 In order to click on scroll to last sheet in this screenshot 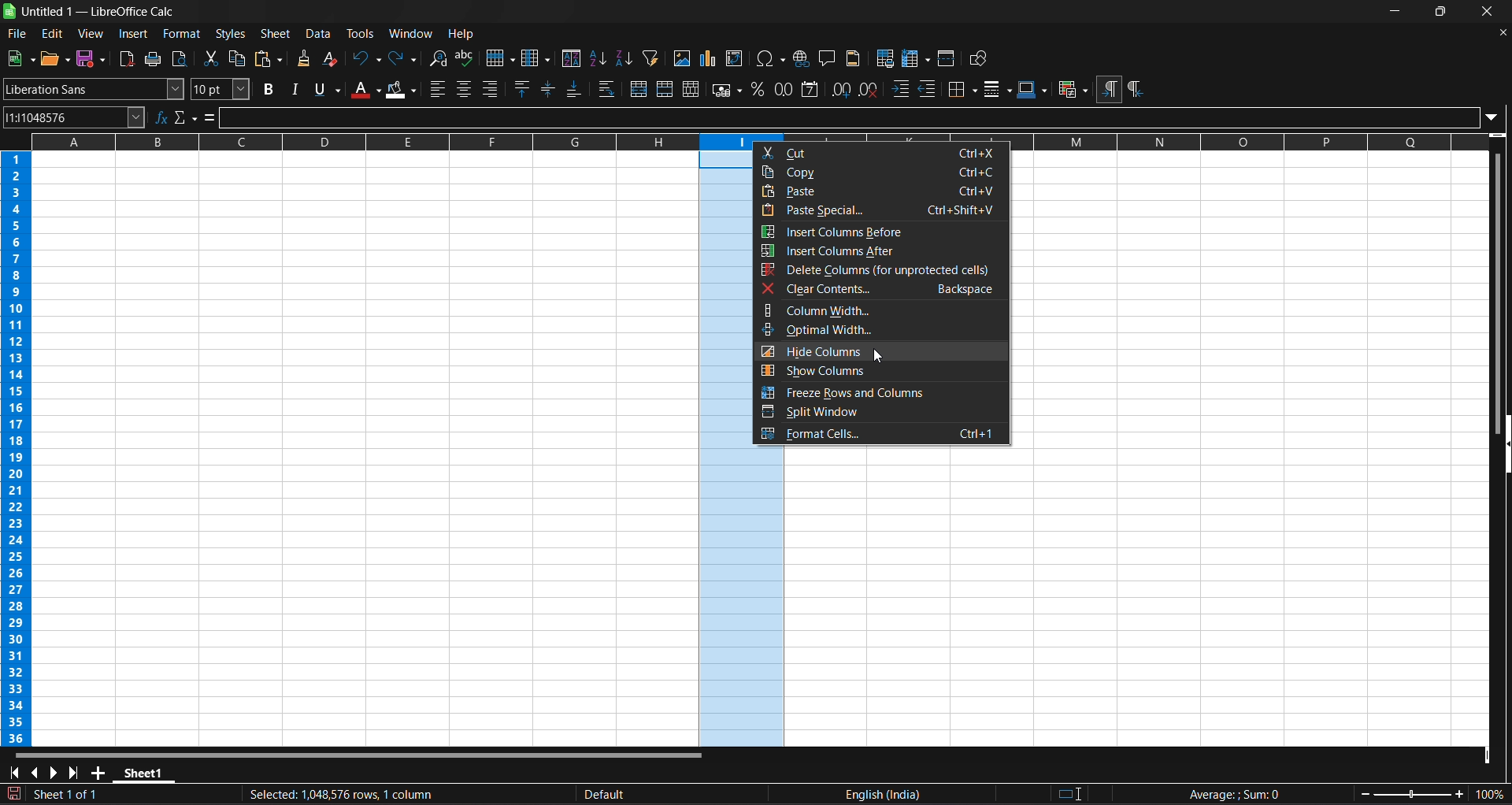, I will do `click(77, 772)`.